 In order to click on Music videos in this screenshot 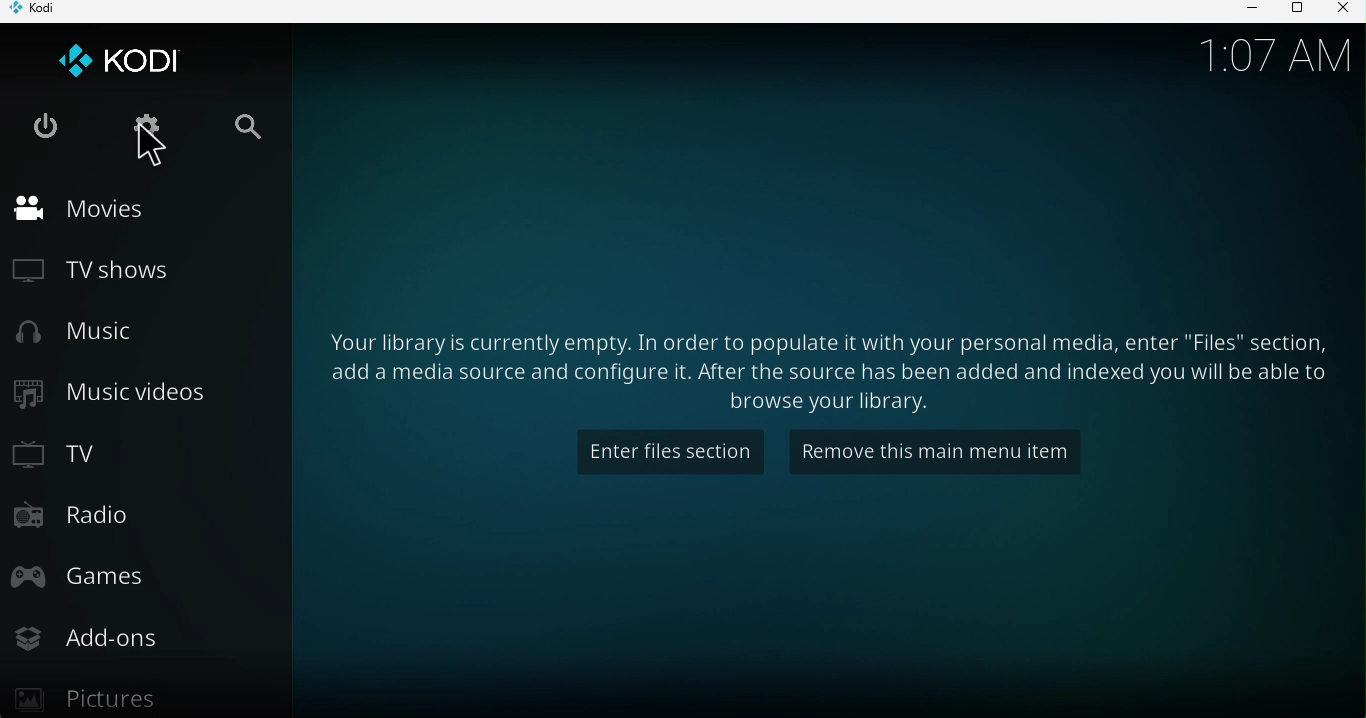, I will do `click(124, 394)`.